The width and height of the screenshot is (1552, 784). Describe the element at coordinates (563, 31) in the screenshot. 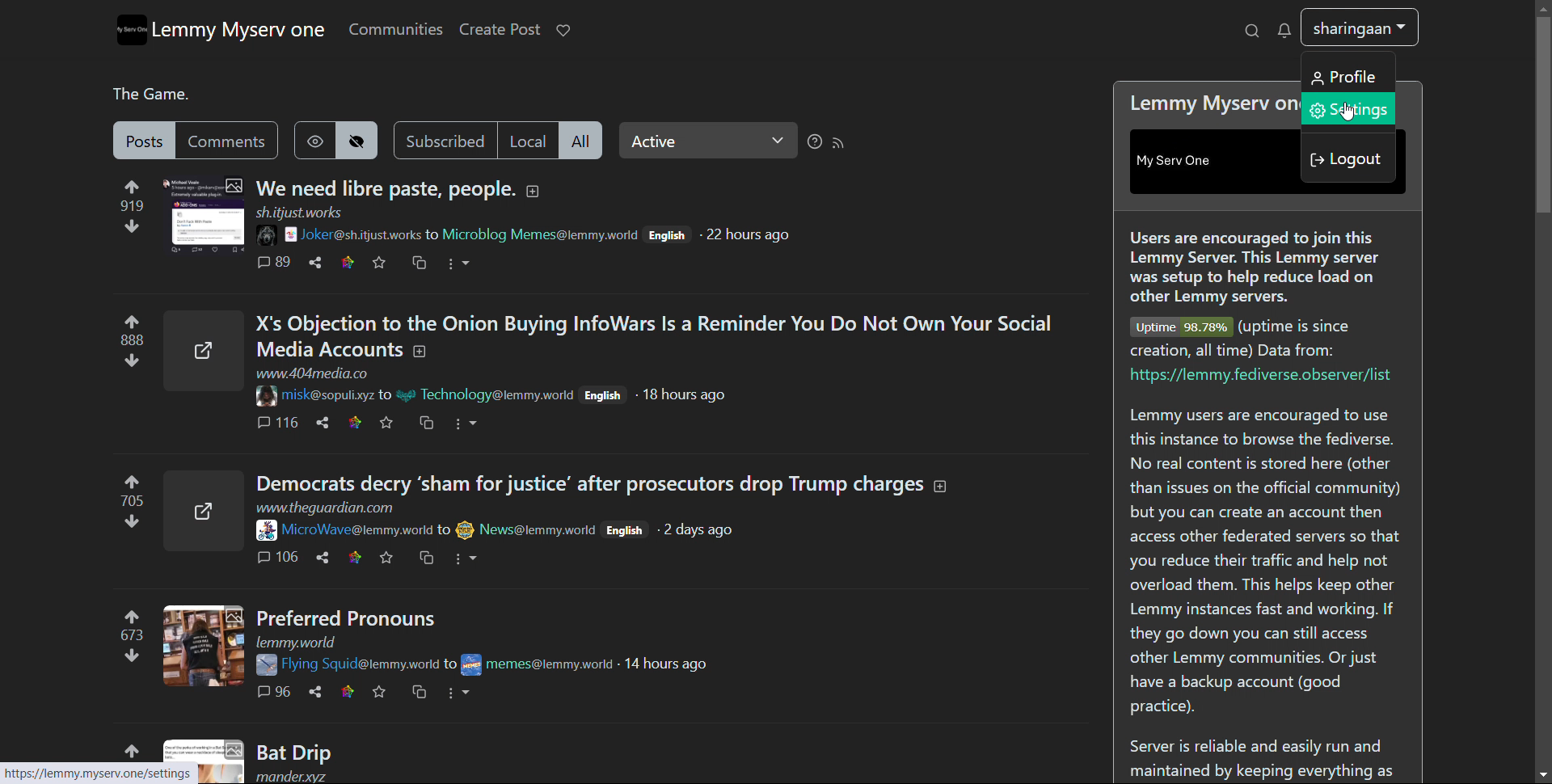

I see `donate to lemmy` at that location.